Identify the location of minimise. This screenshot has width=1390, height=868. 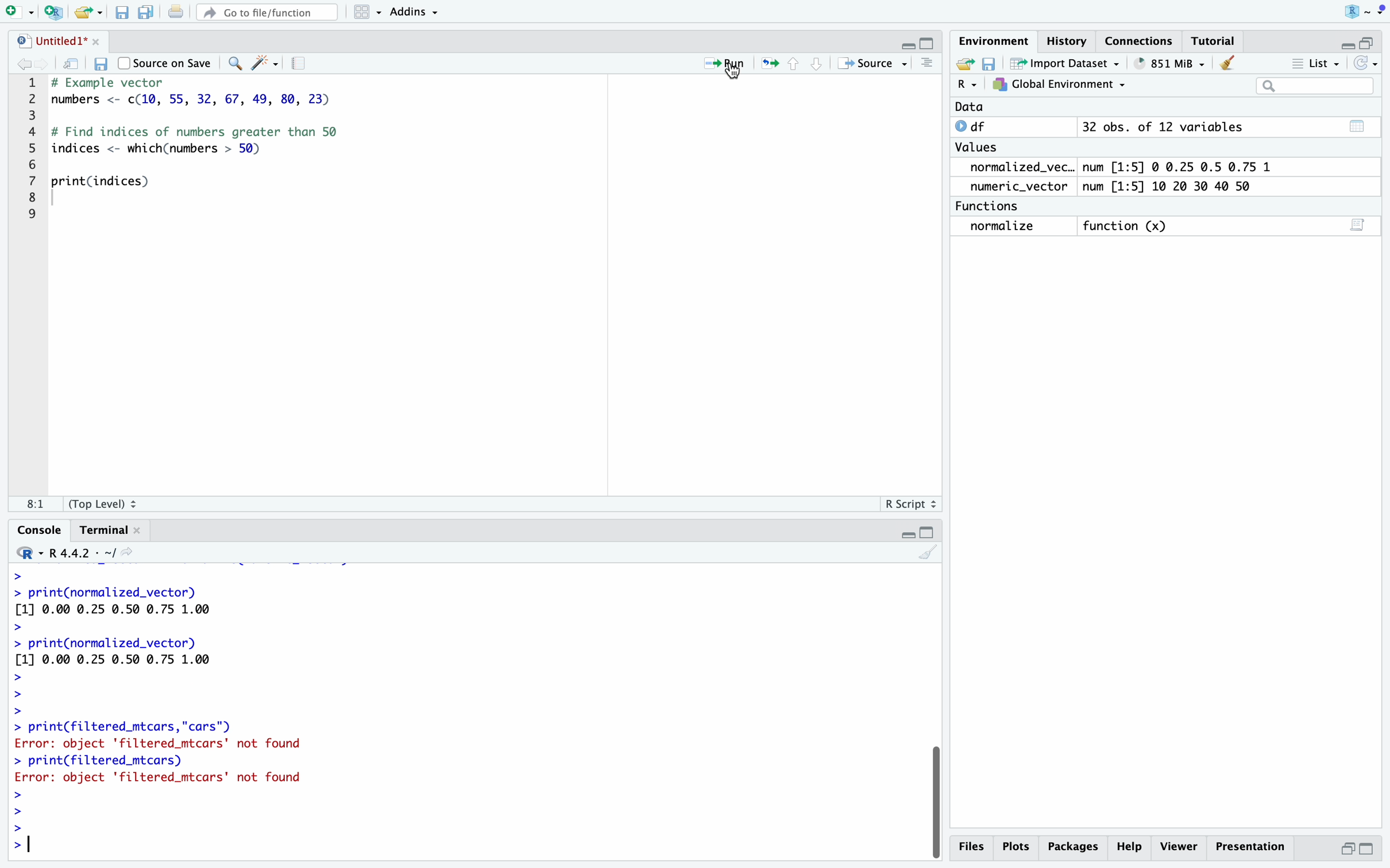
(1349, 847).